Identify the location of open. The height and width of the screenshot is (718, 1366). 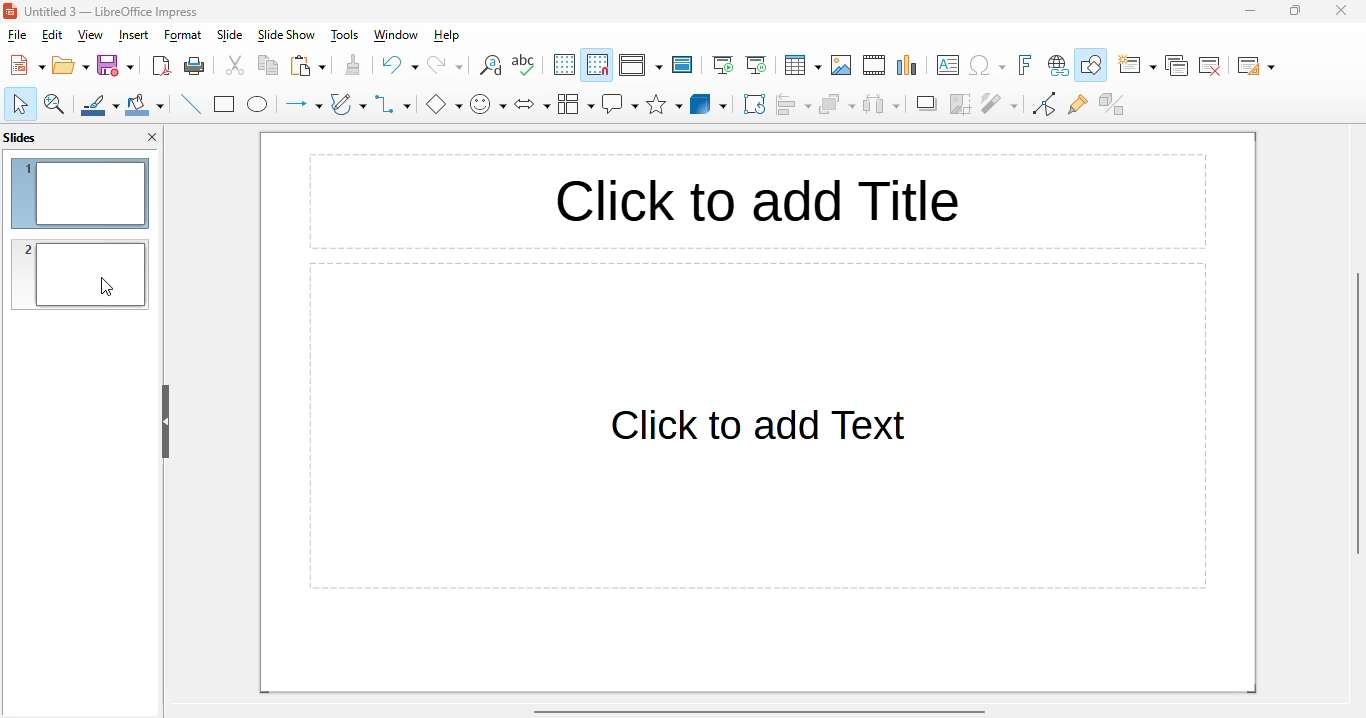
(71, 66).